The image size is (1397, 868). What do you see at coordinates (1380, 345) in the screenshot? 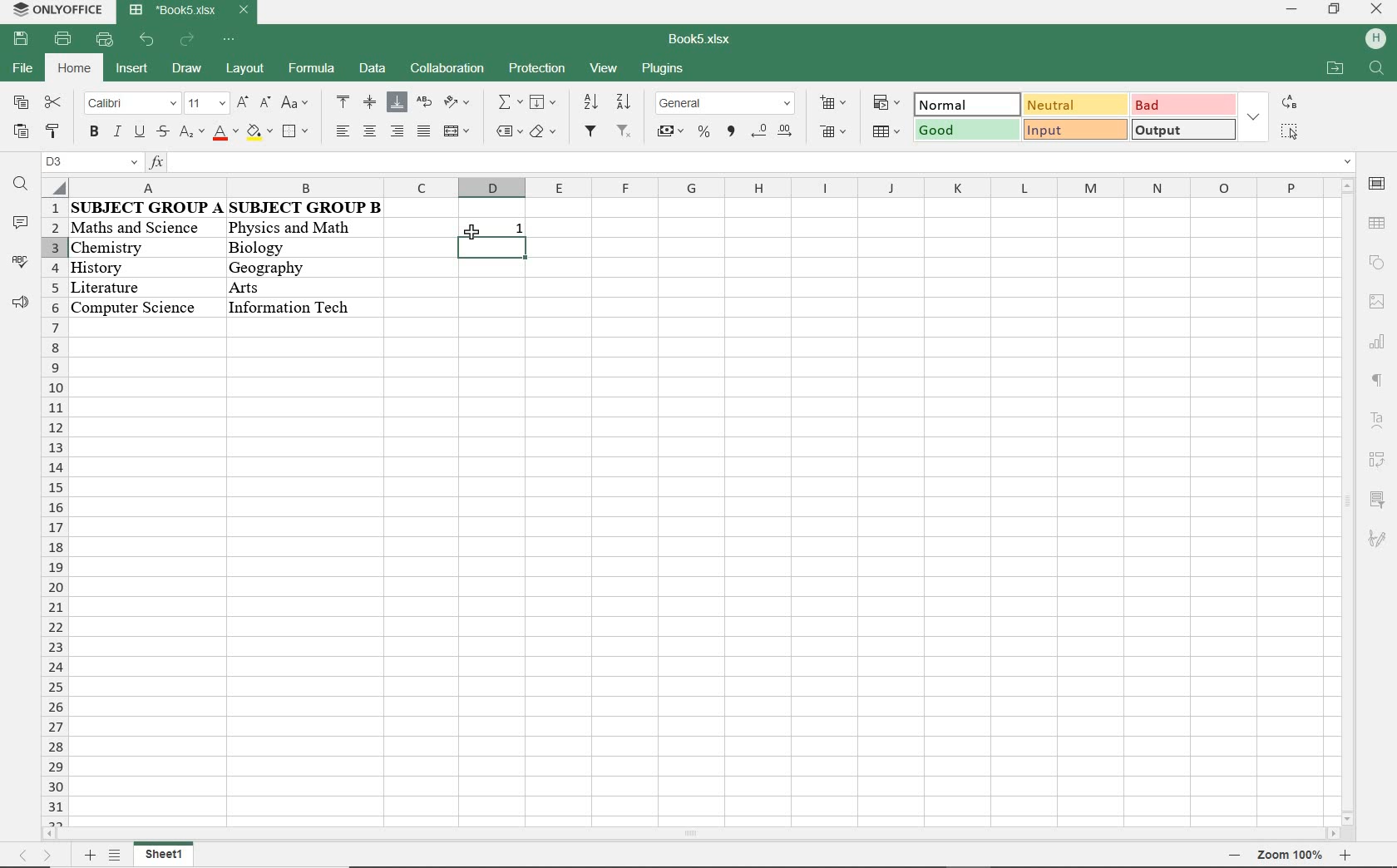
I see `sign` at bounding box center [1380, 345].